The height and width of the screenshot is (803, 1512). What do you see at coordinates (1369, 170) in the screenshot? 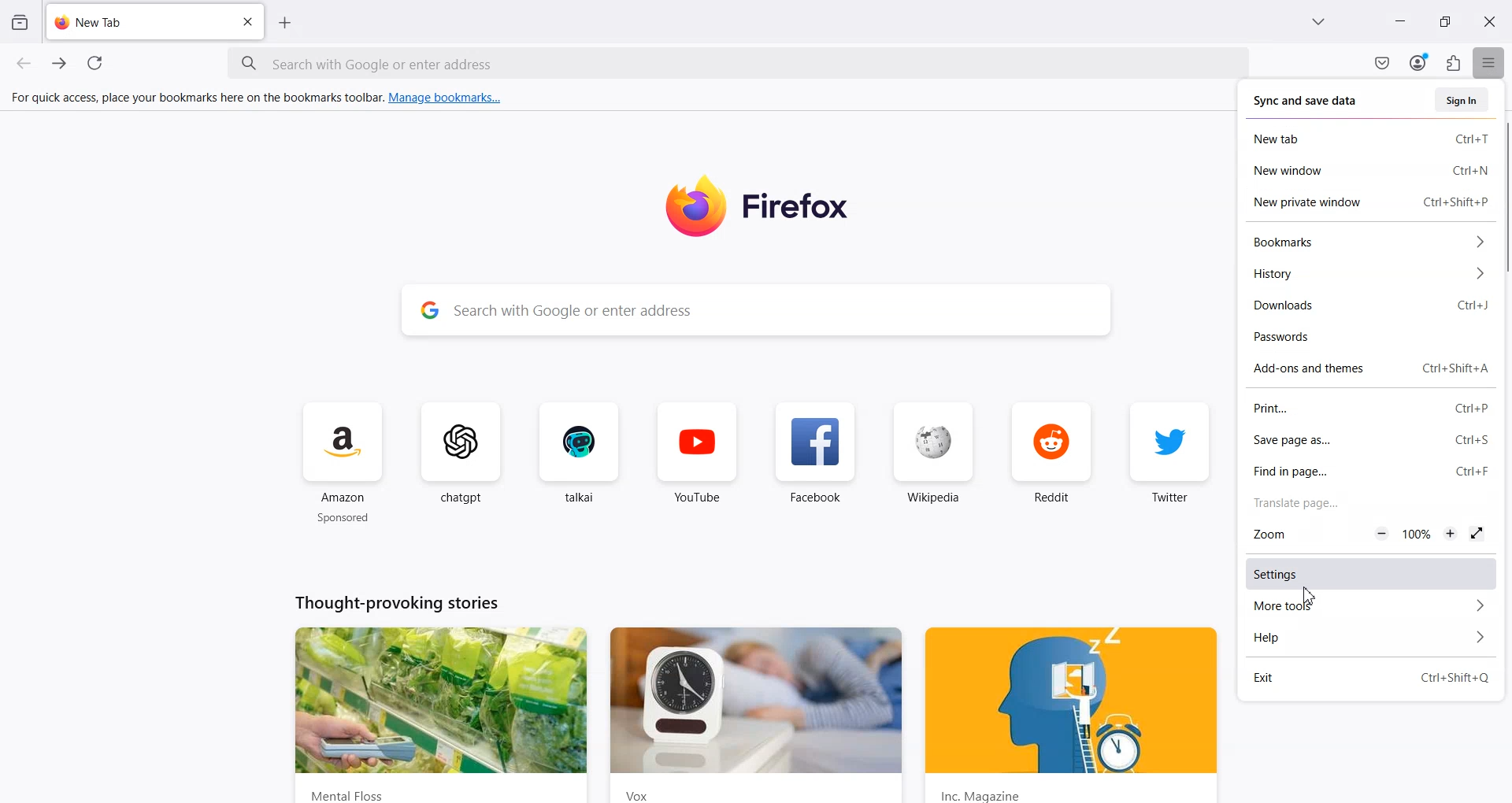
I see `New window Ctri+N` at bounding box center [1369, 170].